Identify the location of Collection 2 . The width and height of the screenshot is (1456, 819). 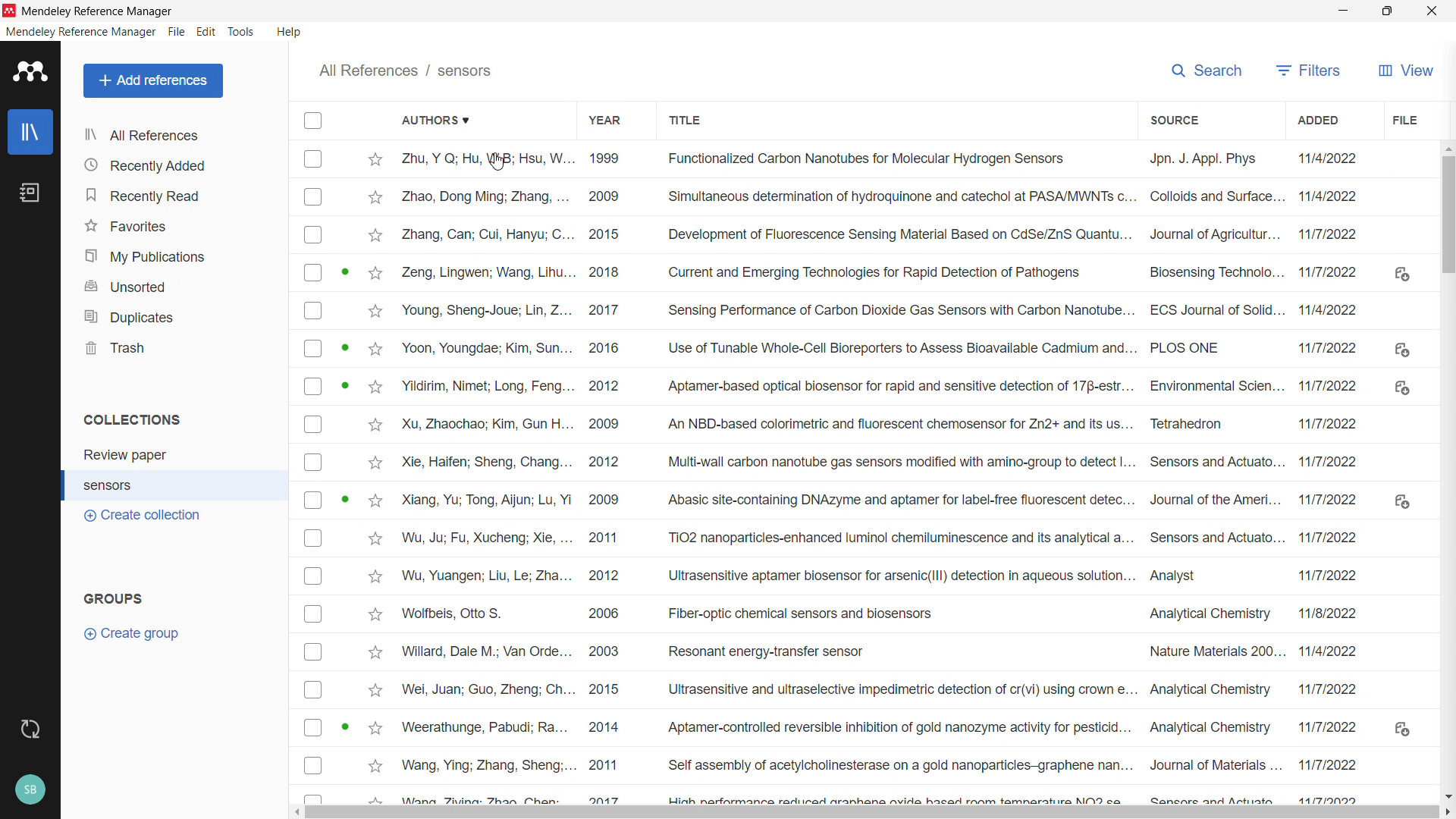
(177, 485).